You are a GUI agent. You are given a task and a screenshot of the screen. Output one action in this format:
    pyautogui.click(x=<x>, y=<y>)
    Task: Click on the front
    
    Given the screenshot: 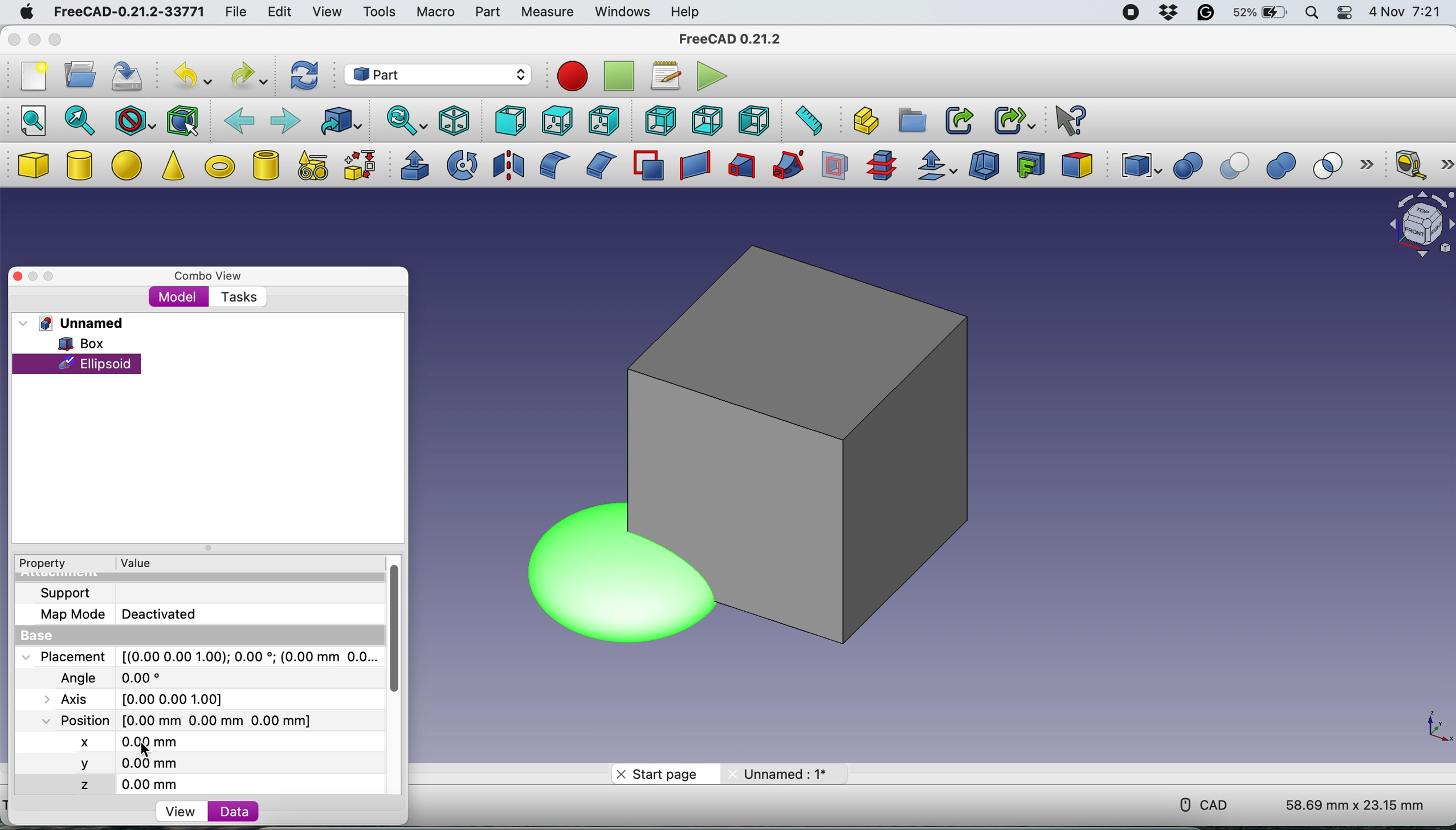 What is the action you would take?
    pyautogui.click(x=508, y=121)
    